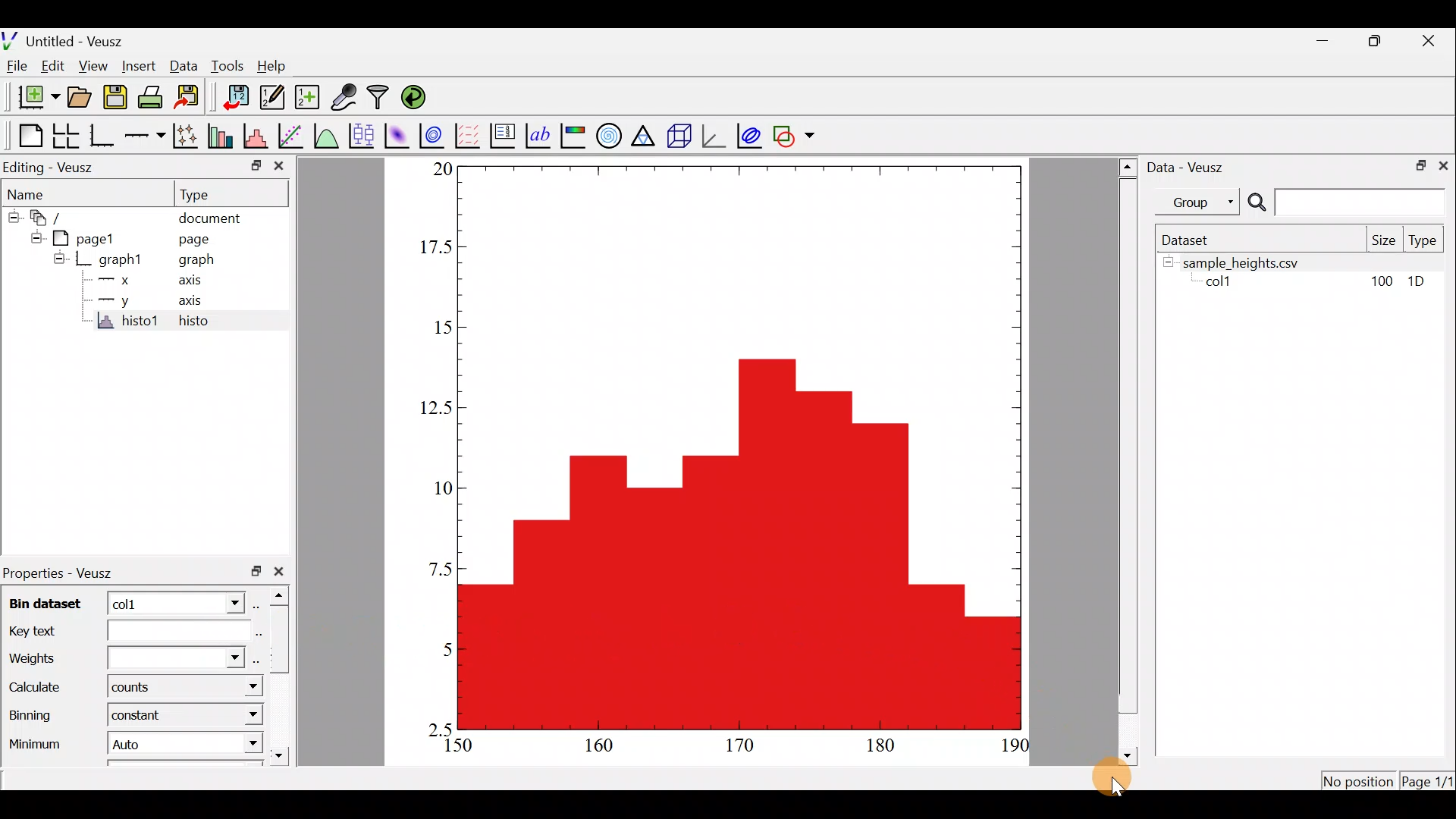 The image size is (1456, 819). Describe the element at coordinates (26, 134) in the screenshot. I see `Blank page` at that location.